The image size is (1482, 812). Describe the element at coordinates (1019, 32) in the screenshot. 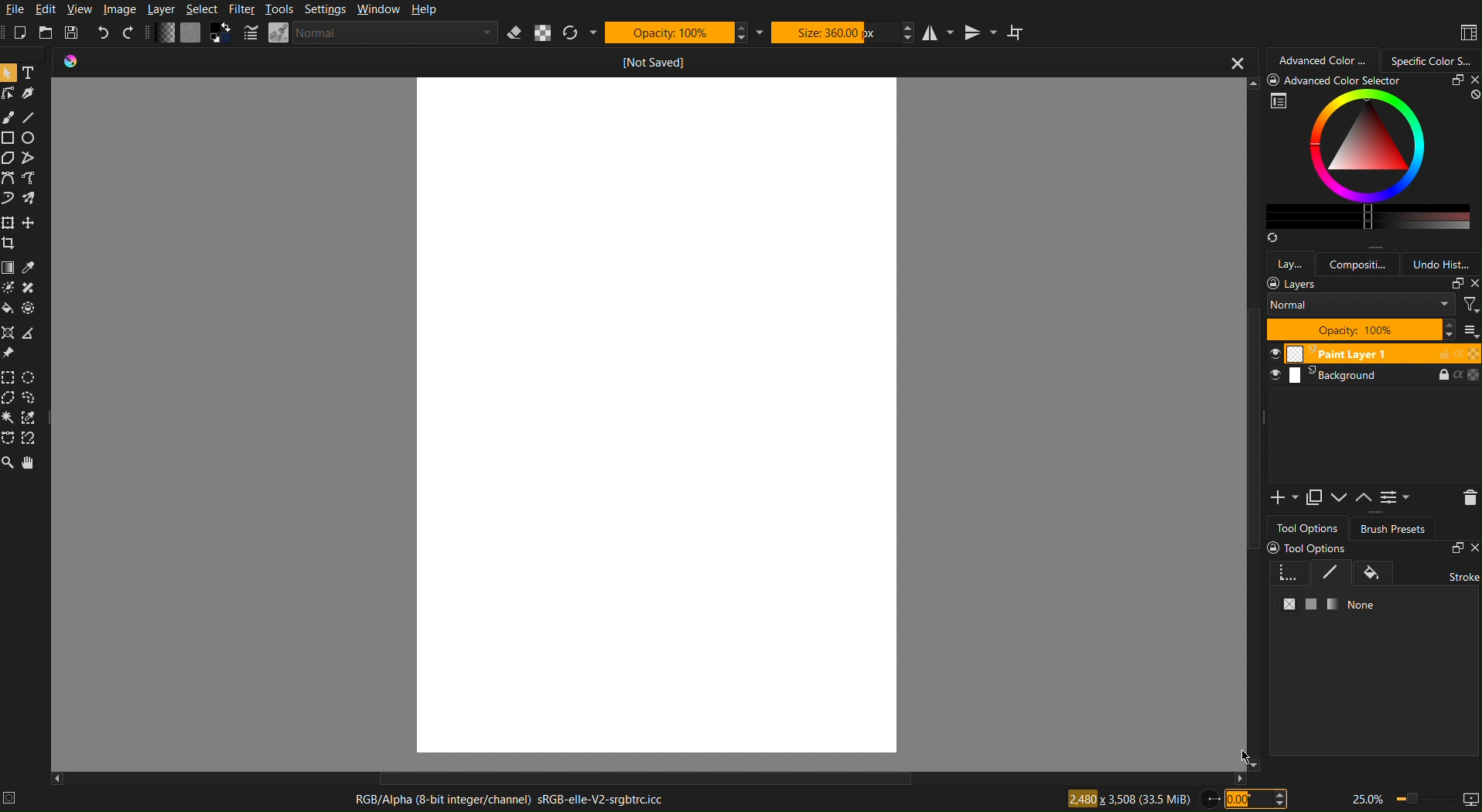

I see `Wrap around` at that location.